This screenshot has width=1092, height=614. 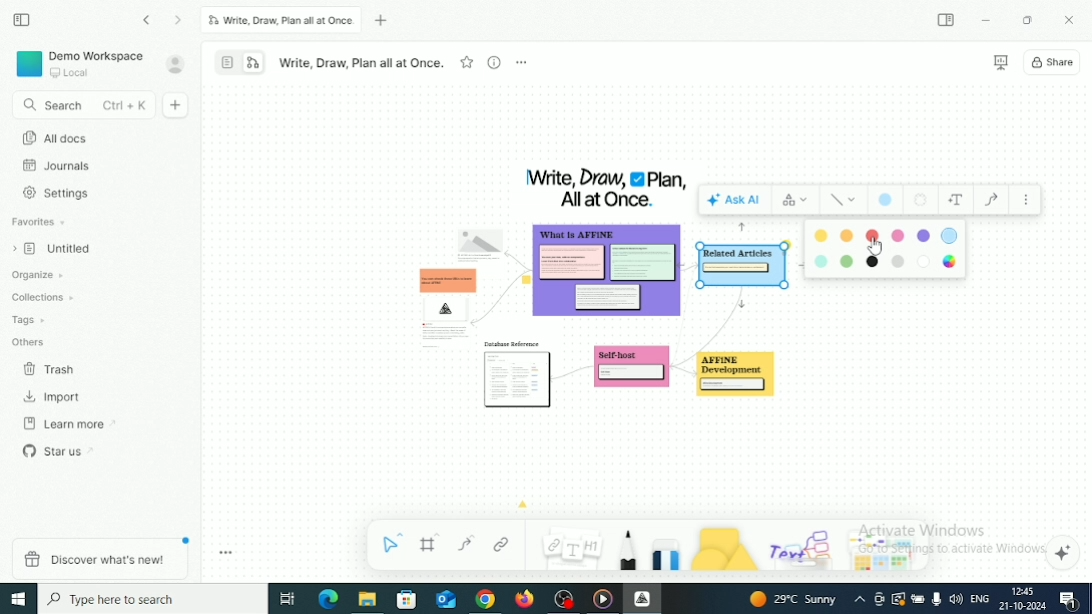 What do you see at coordinates (328, 598) in the screenshot?
I see `Microsoft Edge` at bounding box center [328, 598].